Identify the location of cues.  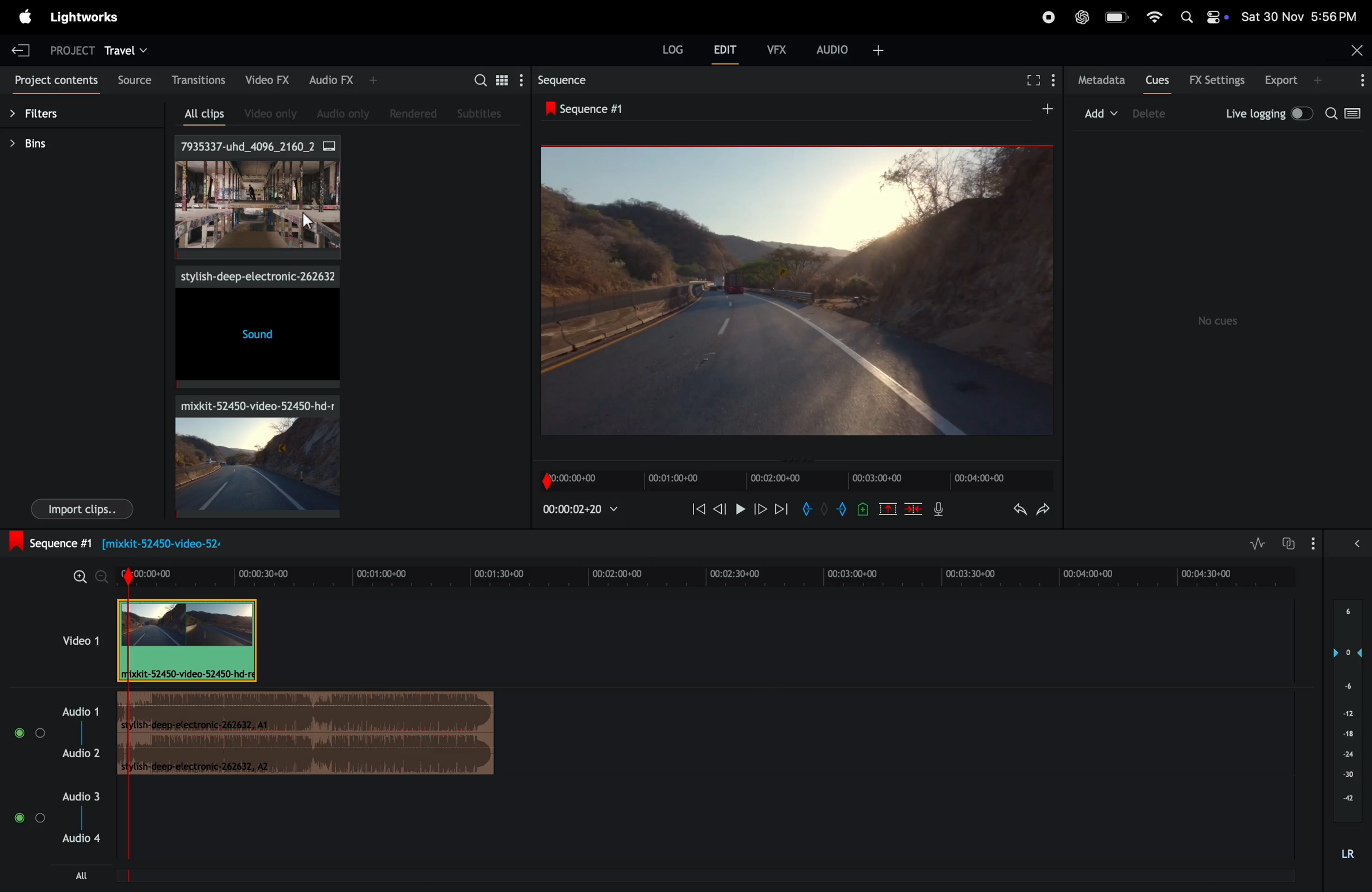
(1157, 82).